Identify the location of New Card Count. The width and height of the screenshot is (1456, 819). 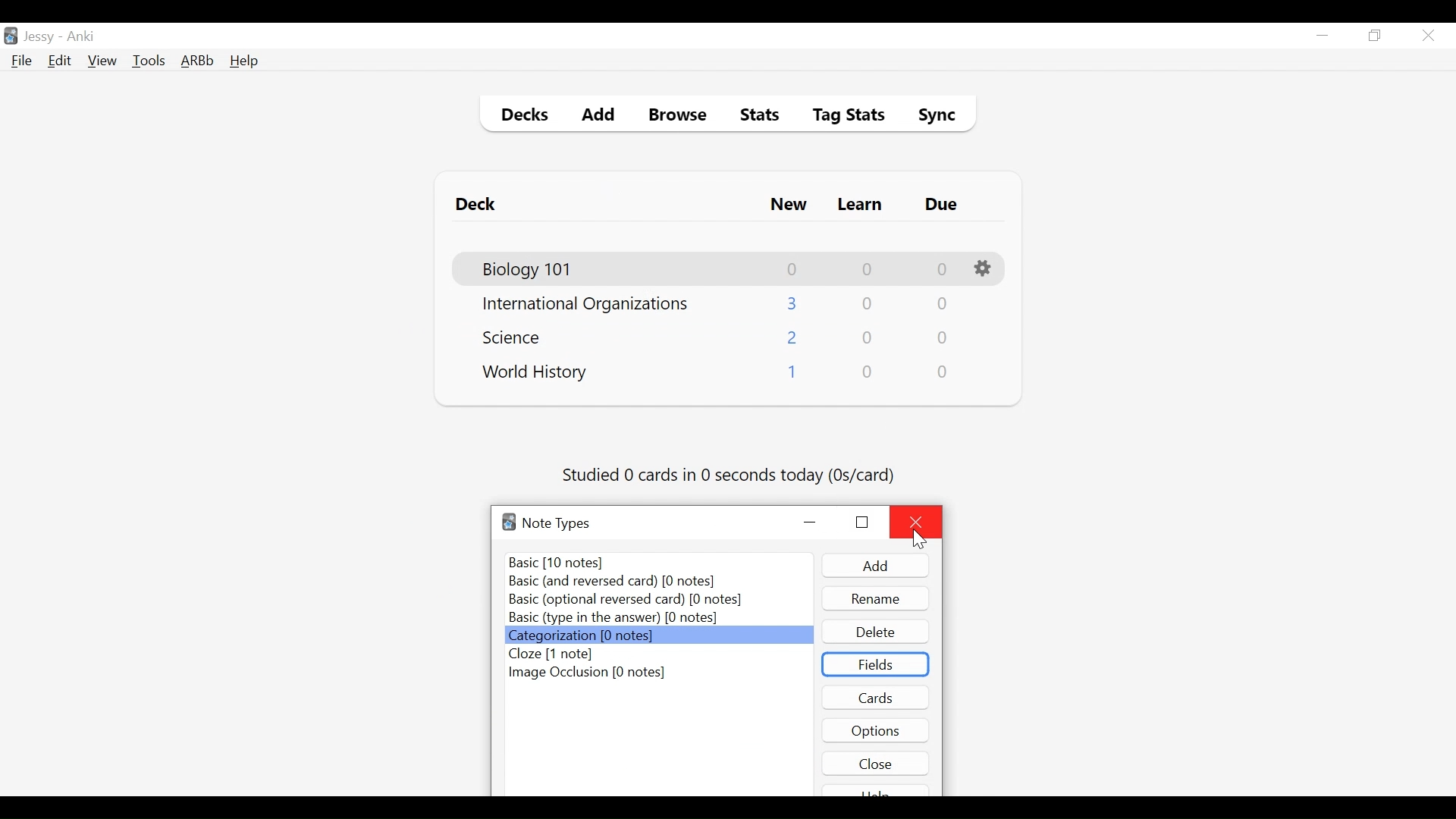
(793, 339).